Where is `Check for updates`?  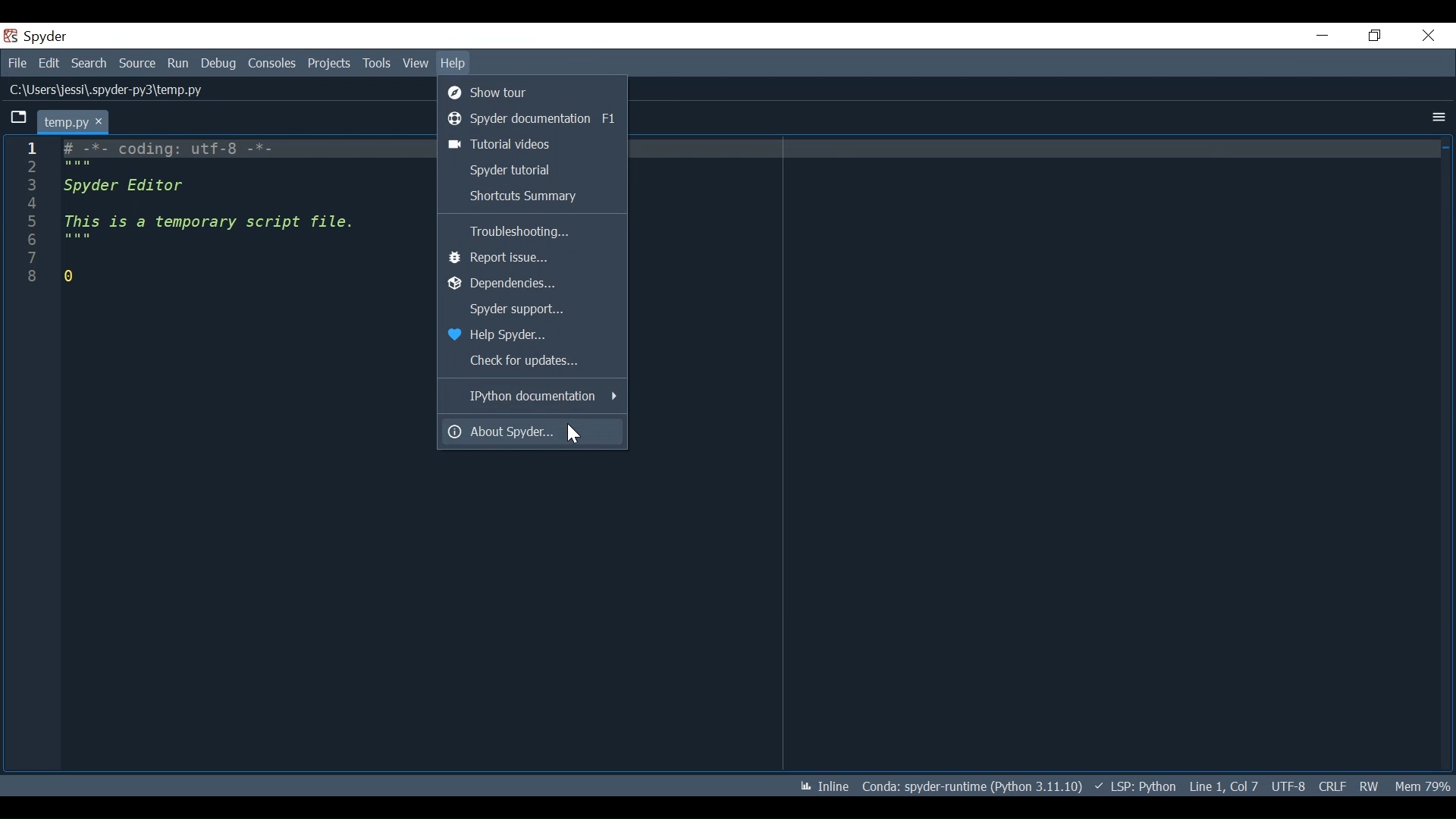
Check for updates is located at coordinates (531, 360).